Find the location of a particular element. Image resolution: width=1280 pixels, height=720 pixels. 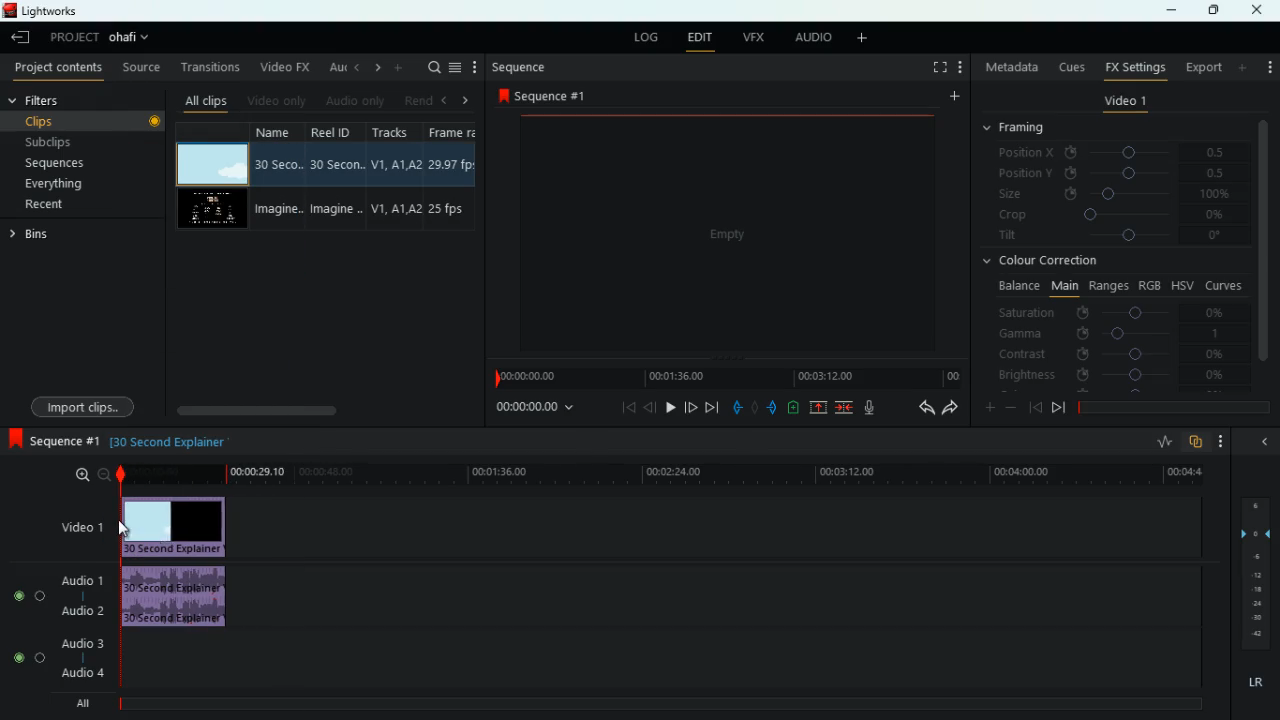

rend is located at coordinates (412, 98).